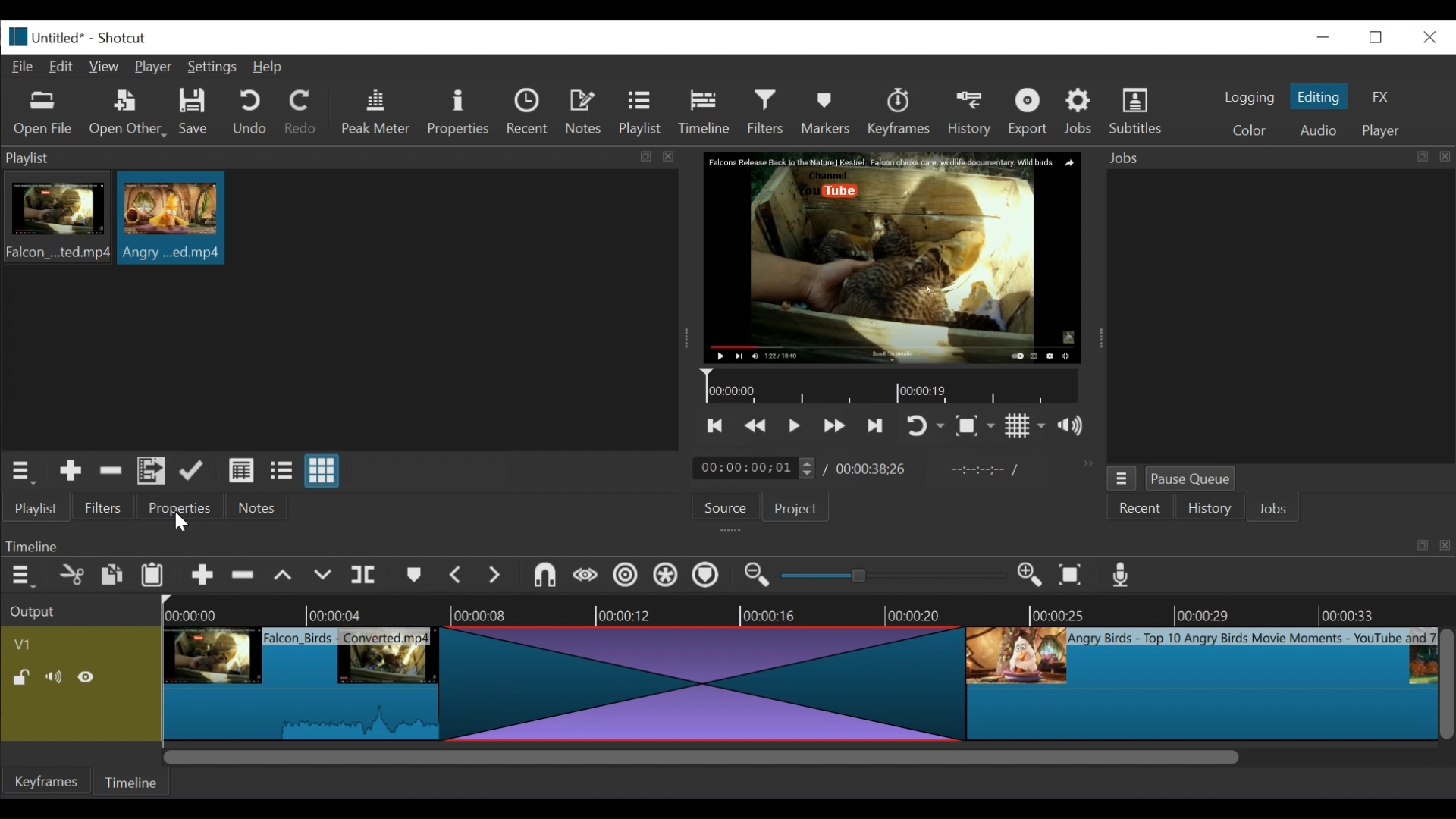 This screenshot has width=1456, height=819. Describe the element at coordinates (24, 470) in the screenshot. I see `playlist menu` at that location.